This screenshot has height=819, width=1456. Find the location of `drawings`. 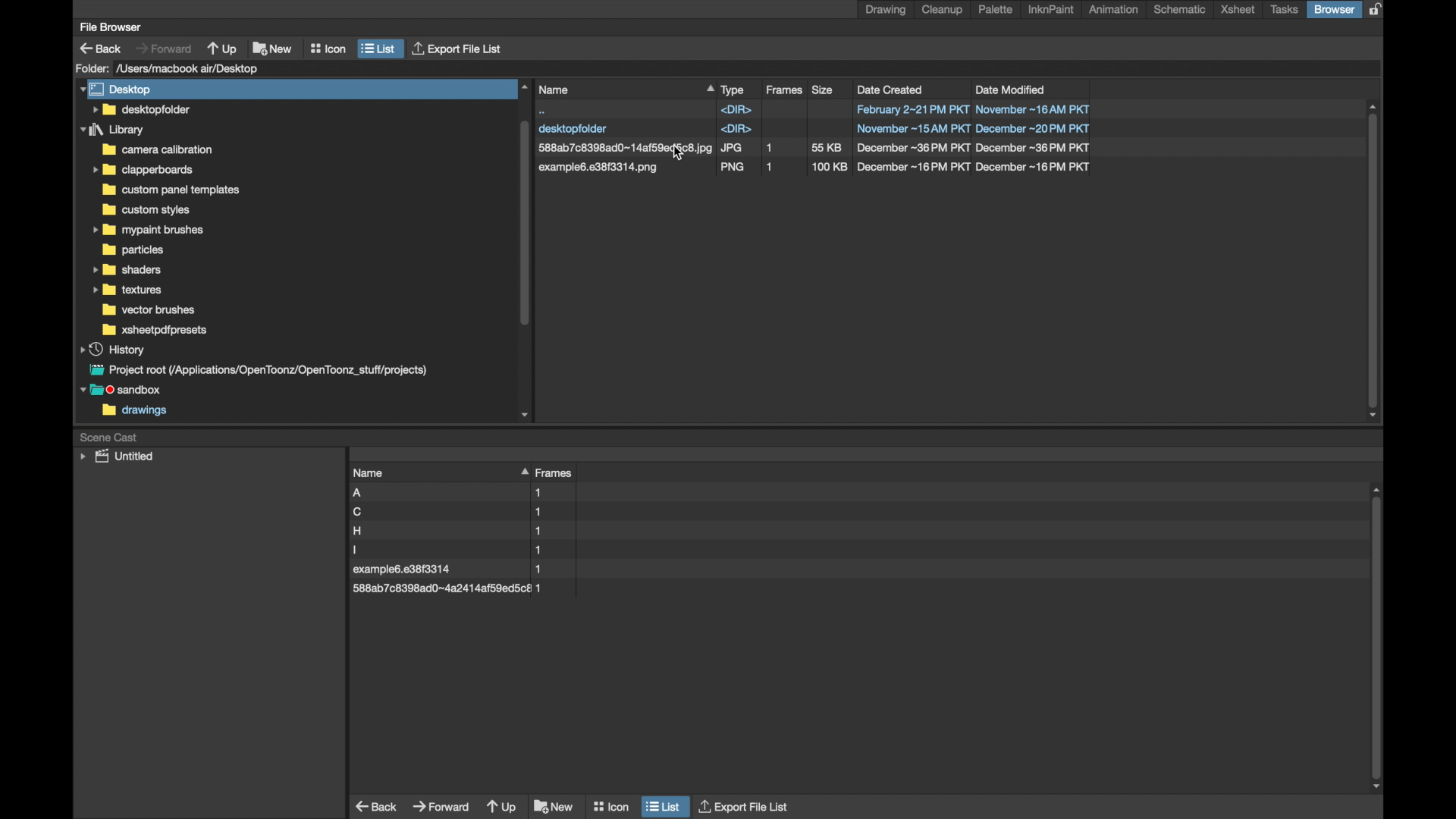

drawings is located at coordinates (135, 412).